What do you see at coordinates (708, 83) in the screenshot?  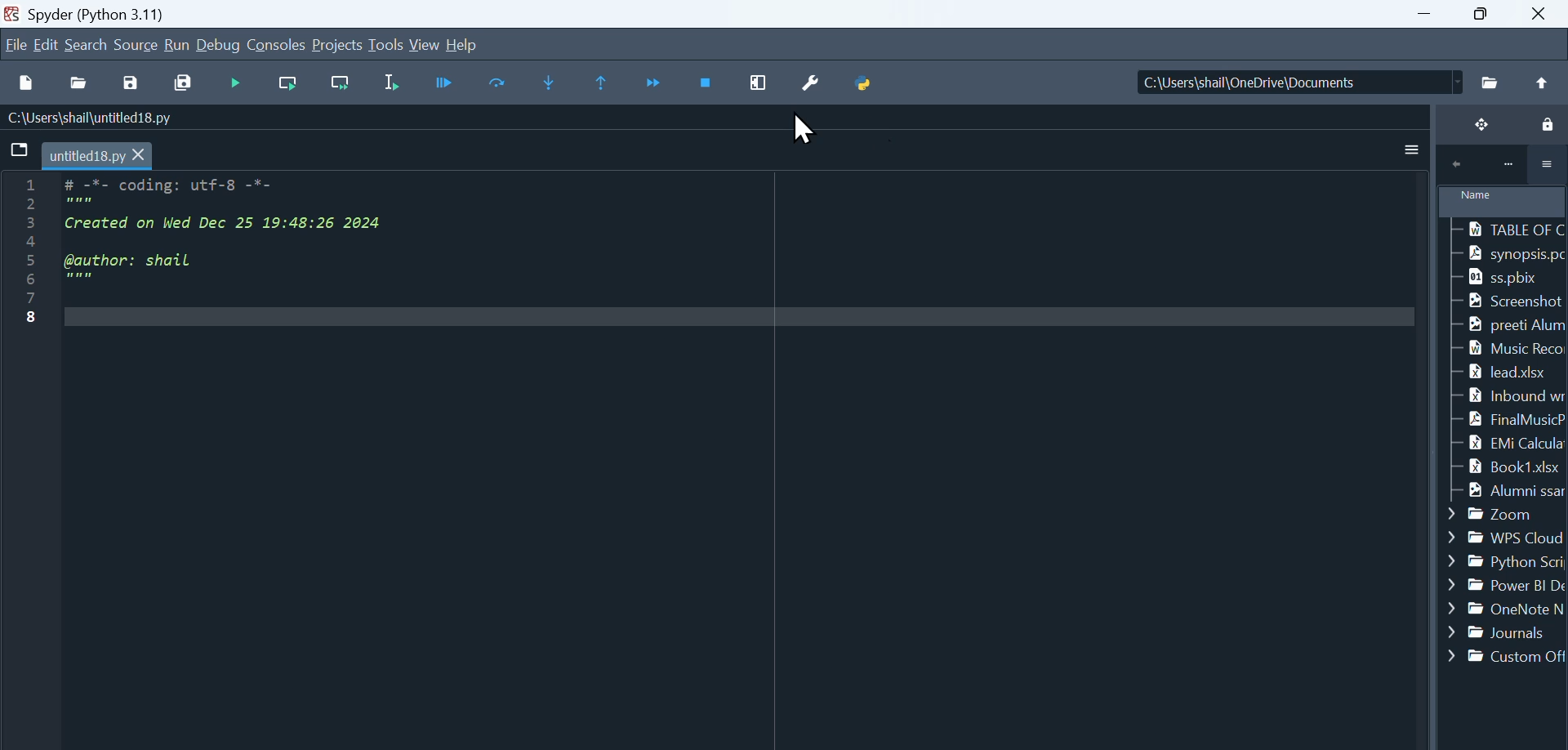 I see `Stop debugging` at bounding box center [708, 83].